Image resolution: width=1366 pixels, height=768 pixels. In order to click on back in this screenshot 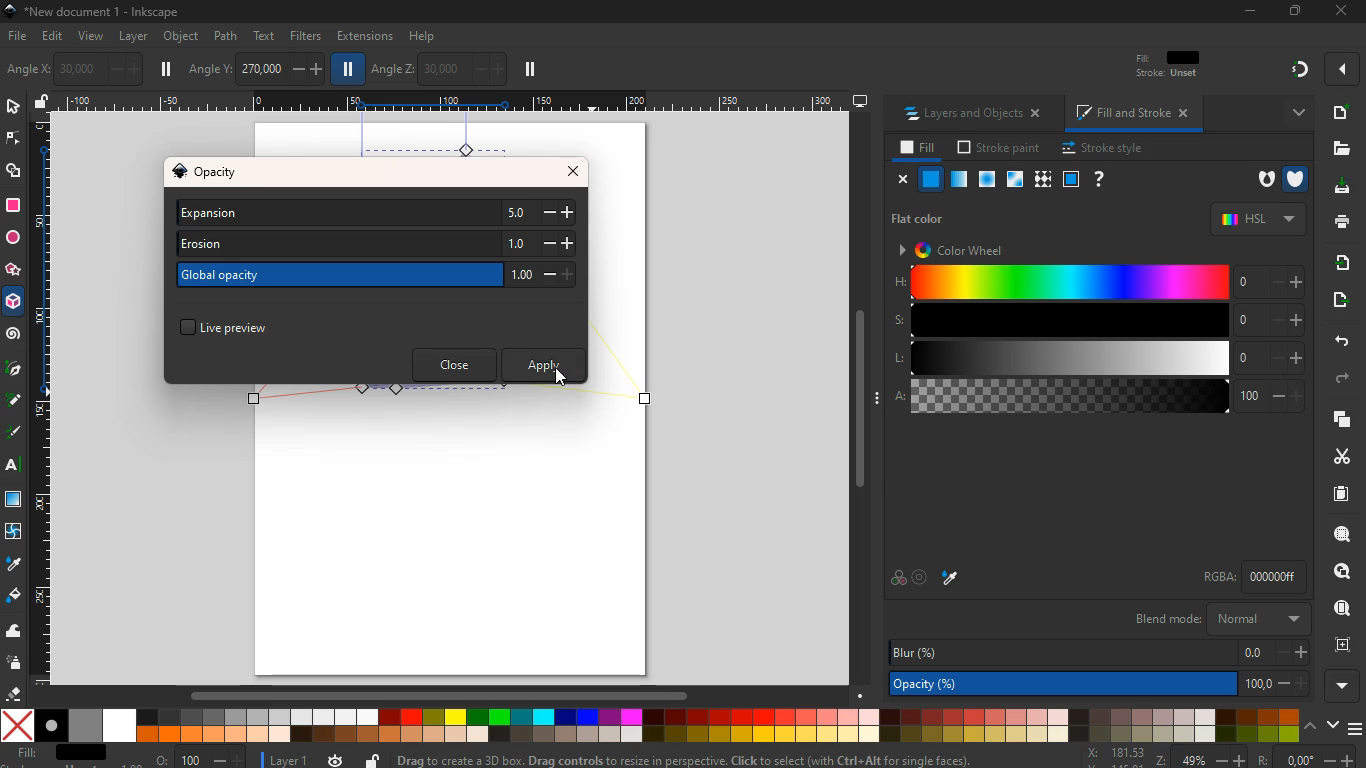, I will do `click(1340, 340)`.